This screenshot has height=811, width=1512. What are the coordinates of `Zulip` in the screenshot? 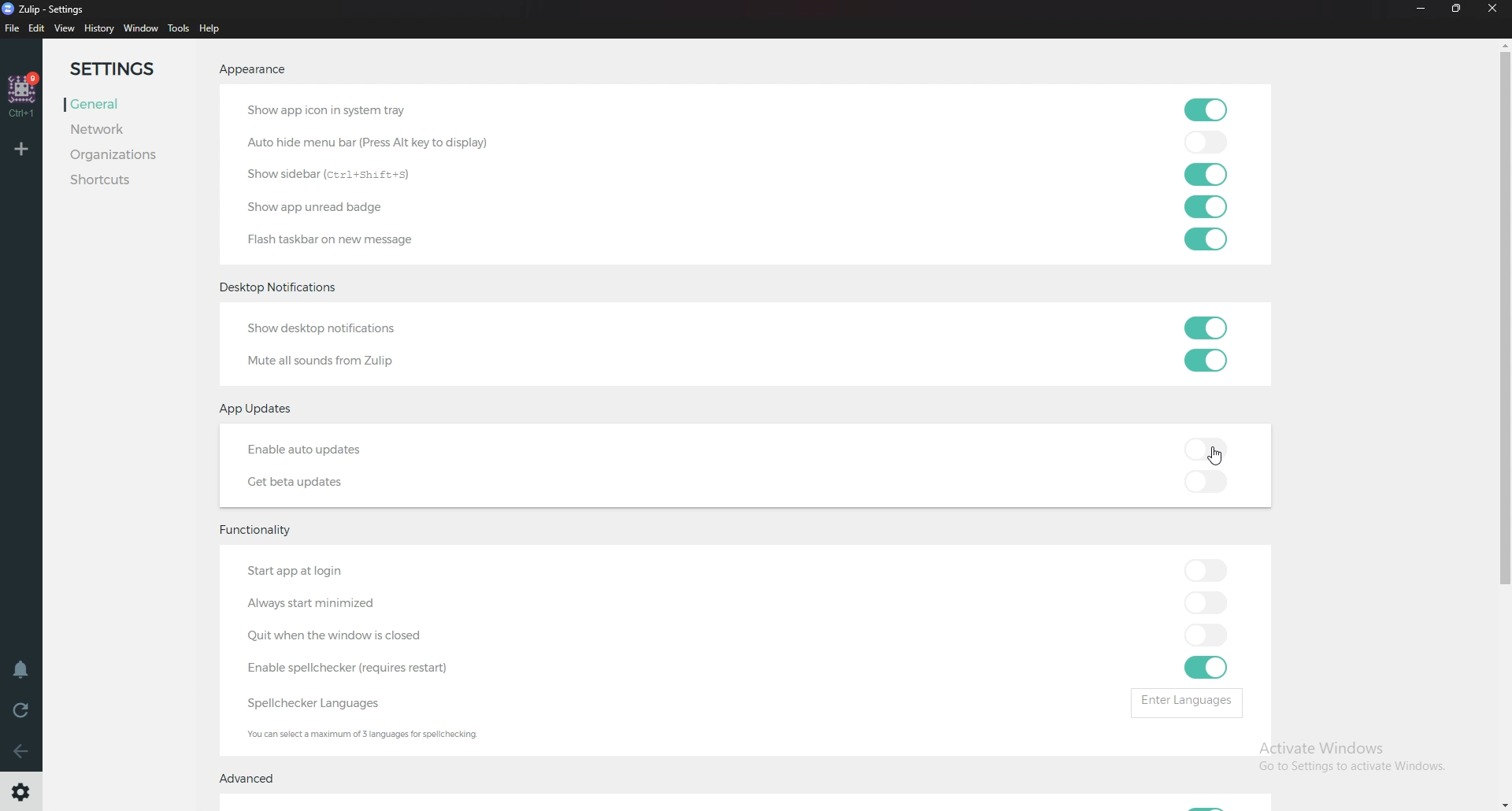 It's located at (54, 9).